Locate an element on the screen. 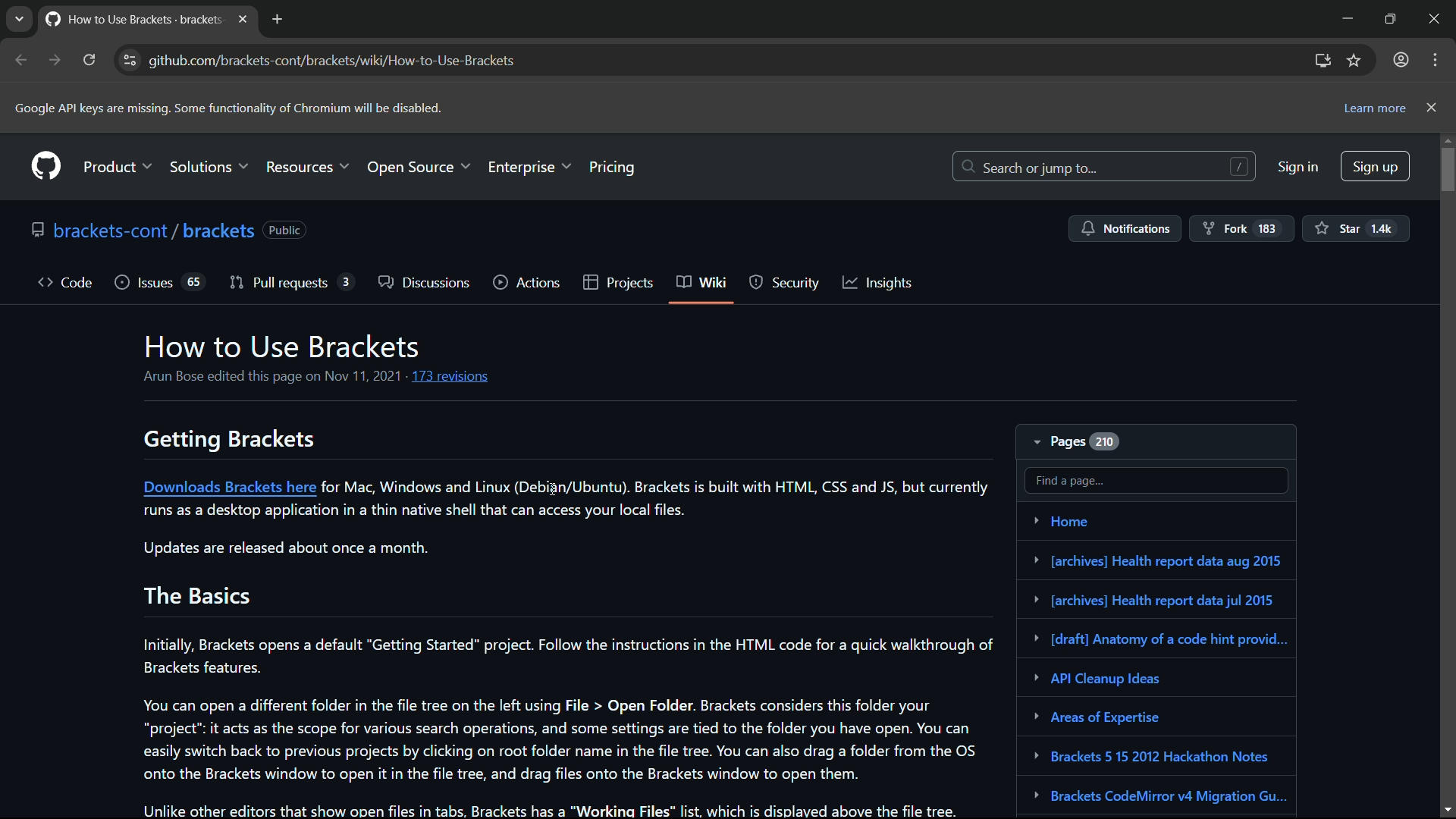  insights is located at coordinates (881, 284).